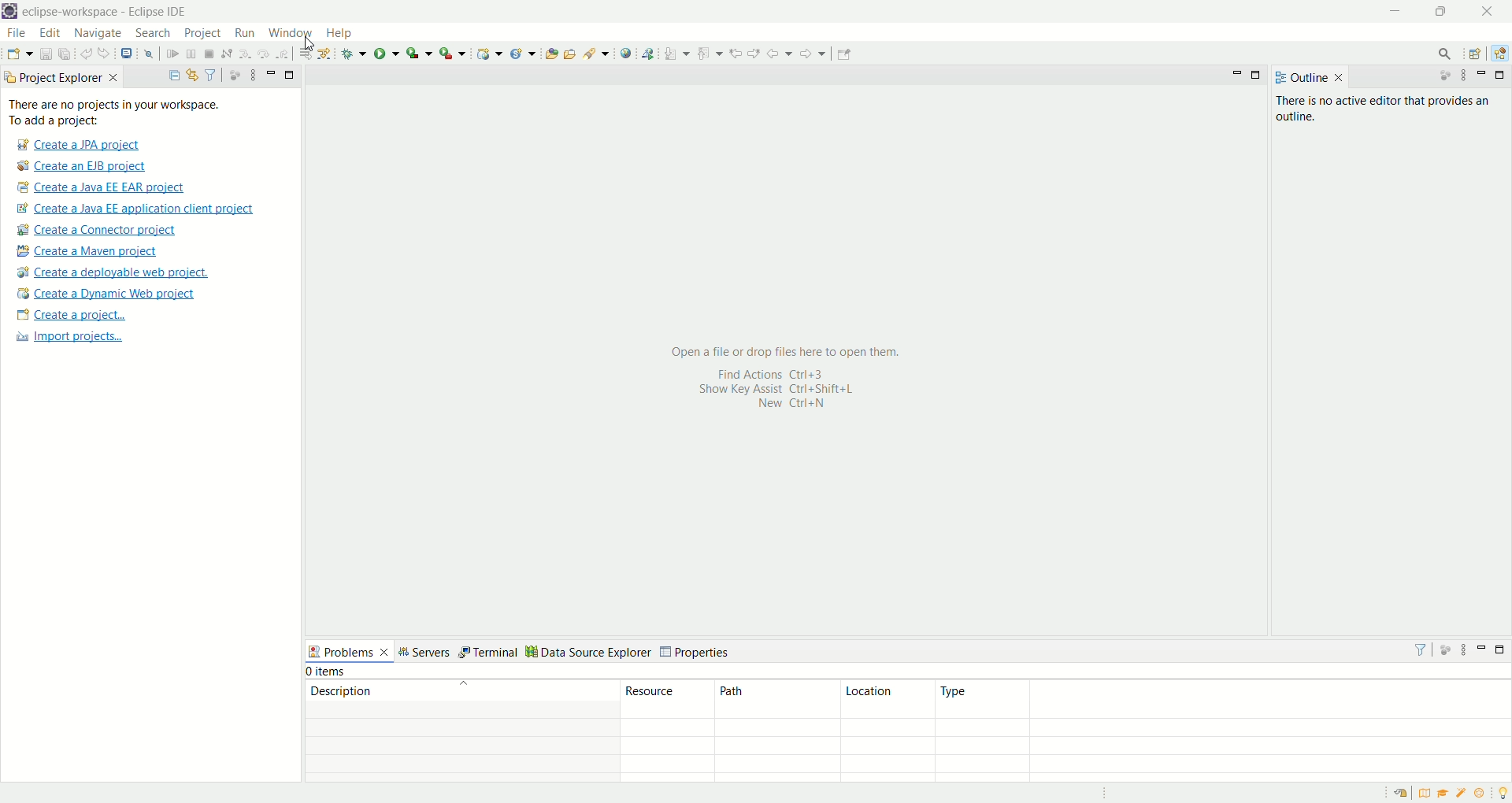 The height and width of the screenshot is (803, 1512). What do you see at coordinates (846, 55) in the screenshot?
I see `pin editor` at bounding box center [846, 55].